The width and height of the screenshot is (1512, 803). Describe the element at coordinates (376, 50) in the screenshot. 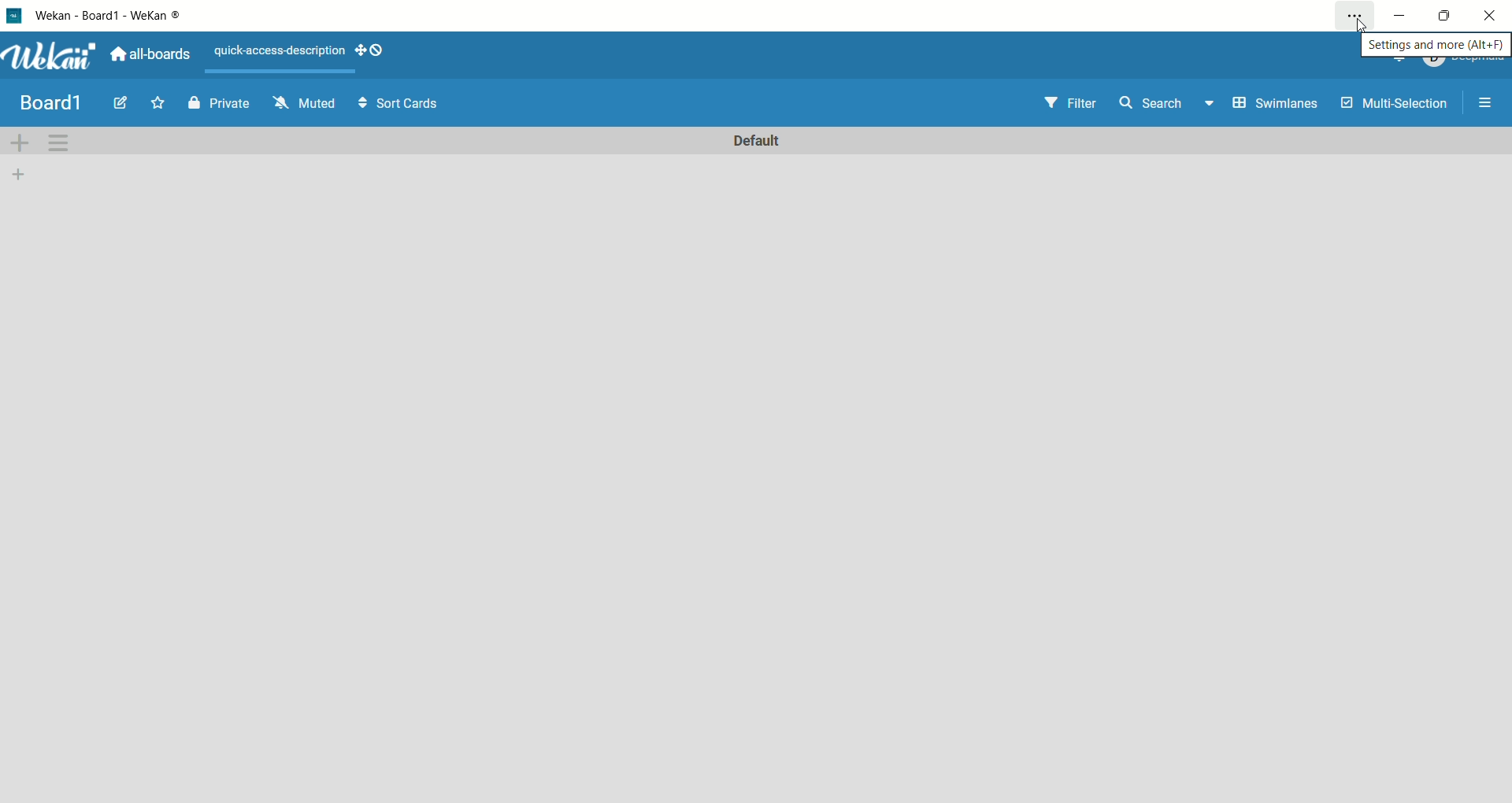

I see `show-desktop-drag-handles` at that location.